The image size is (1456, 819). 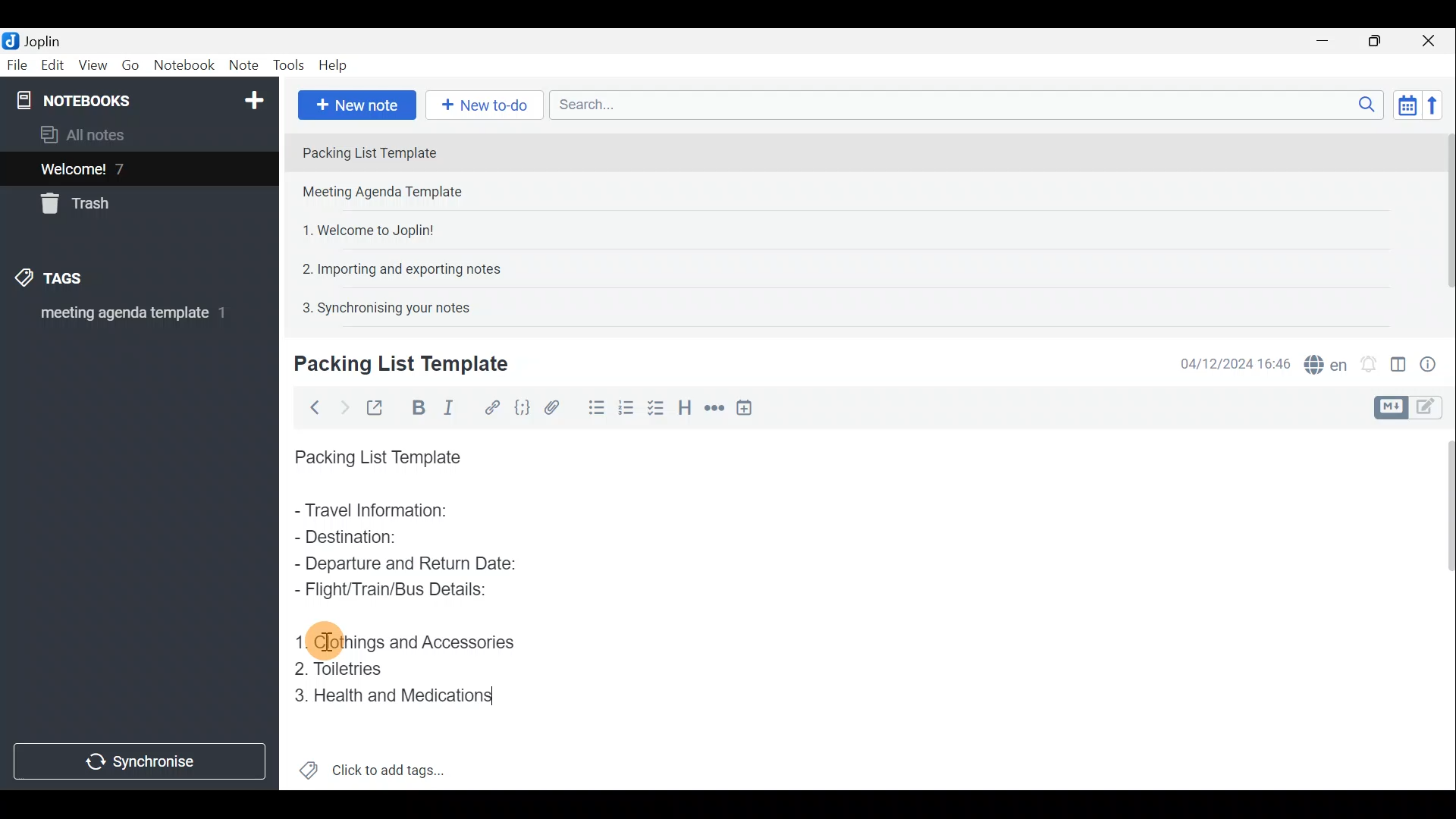 What do you see at coordinates (393, 693) in the screenshot?
I see `Health and Medications` at bounding box center [393, 693].